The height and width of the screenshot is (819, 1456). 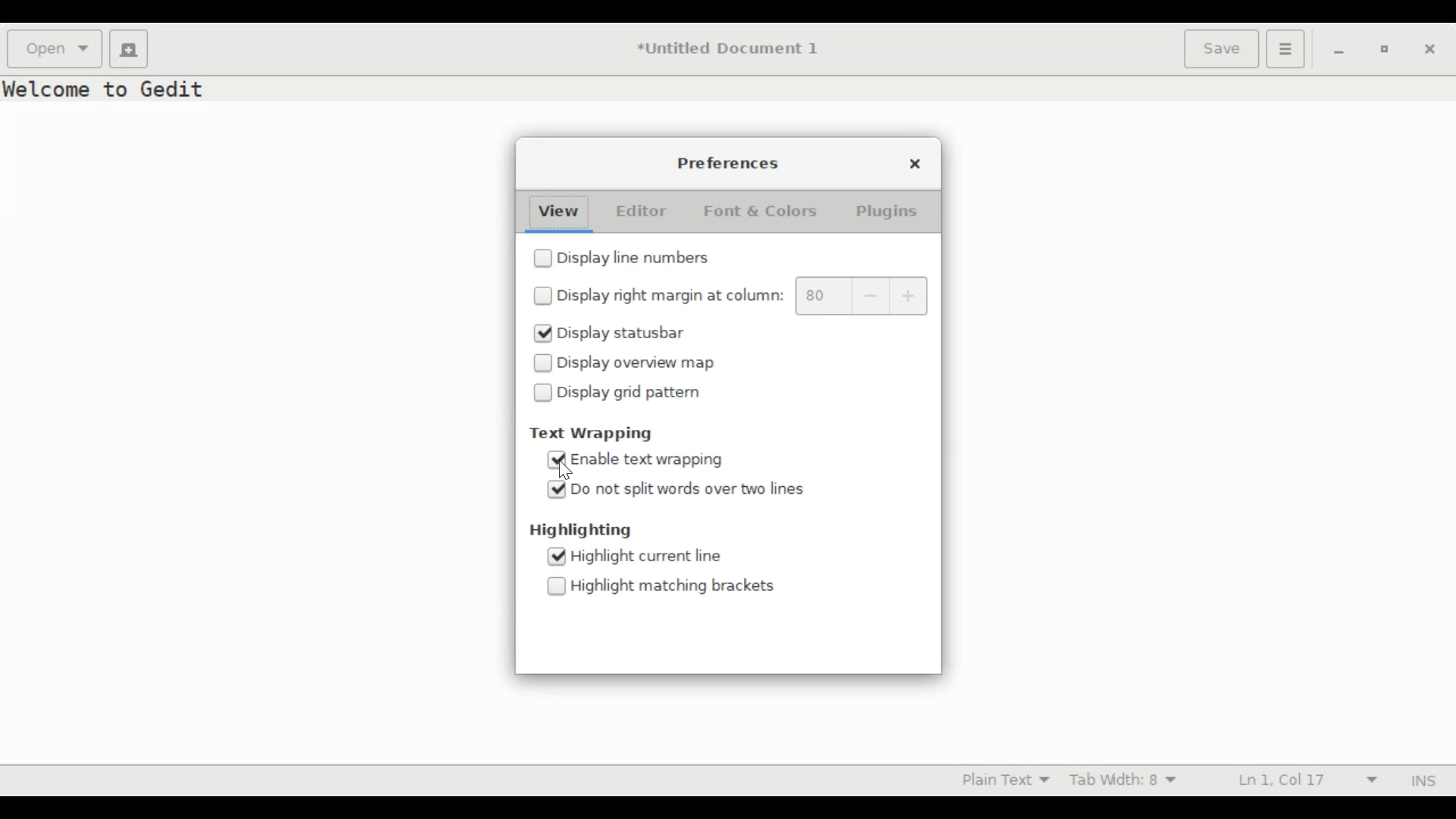 What do you see at coordinates (689, 490) in the screenshot?
I see `Do not split words over two lines` at bounding box center [689, 490].